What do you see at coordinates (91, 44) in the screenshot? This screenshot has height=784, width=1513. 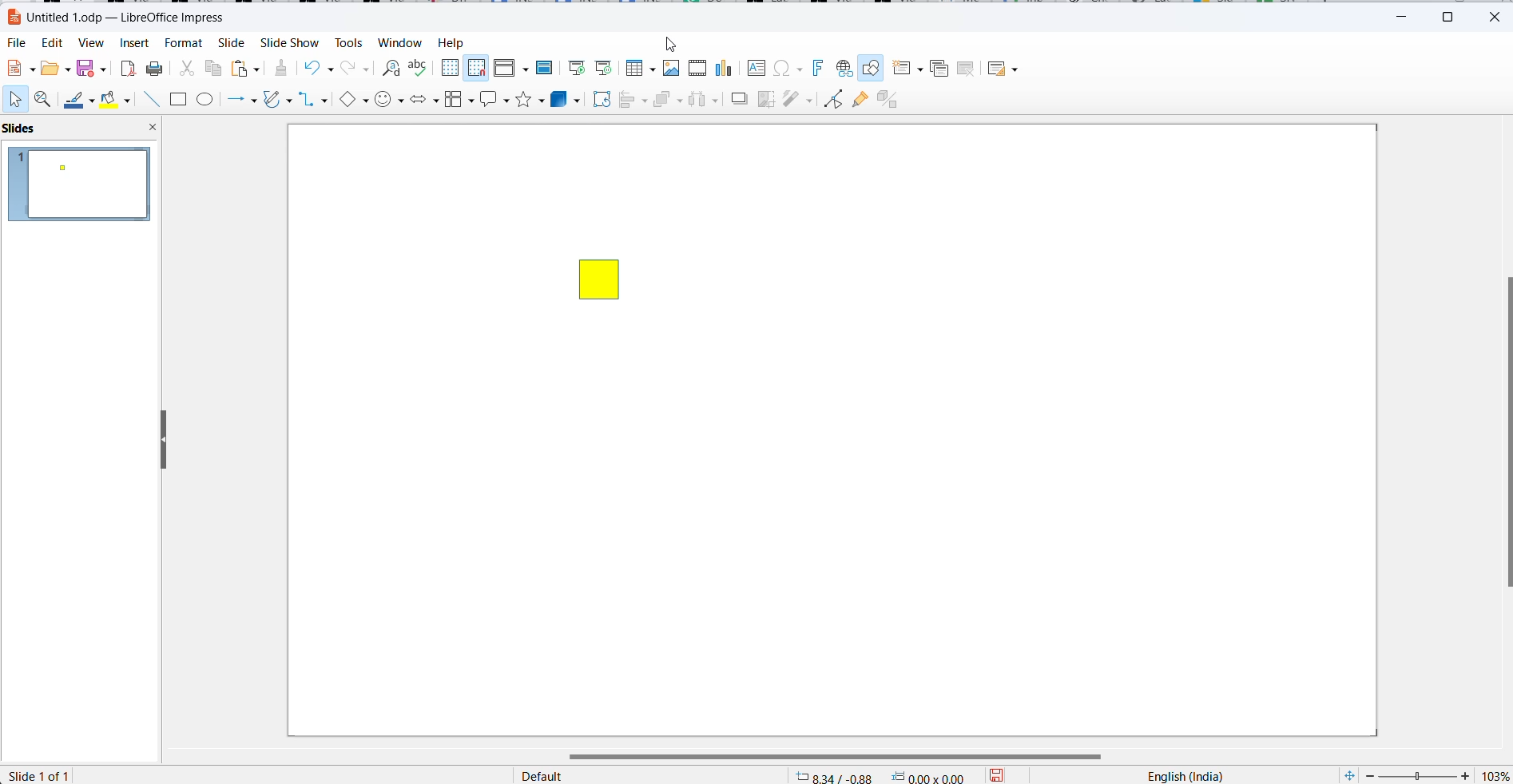 I see `View` at bounding box center [91, 44].